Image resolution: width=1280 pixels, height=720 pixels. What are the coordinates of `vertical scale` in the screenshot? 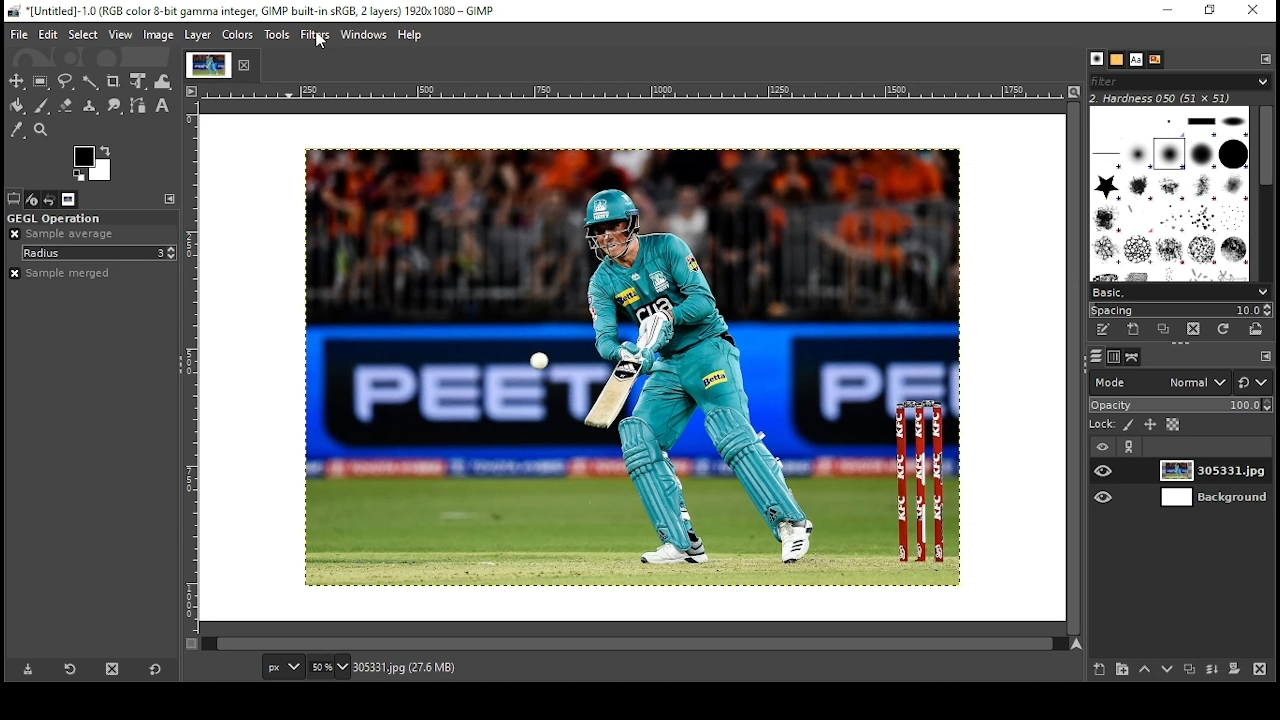 It's located at (192, 377).